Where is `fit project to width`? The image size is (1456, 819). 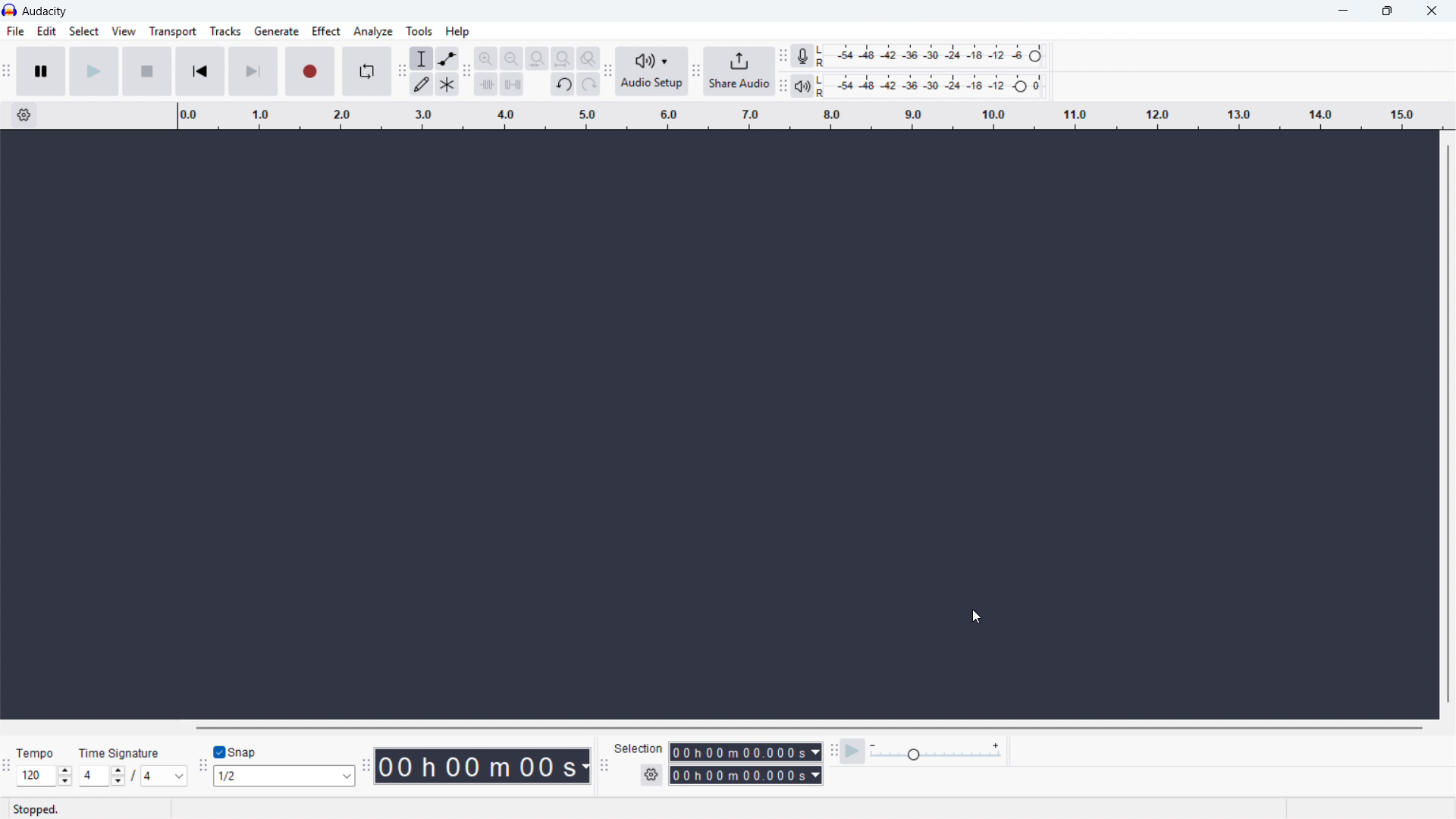 fit project to width is located at coordinates (563, 58).